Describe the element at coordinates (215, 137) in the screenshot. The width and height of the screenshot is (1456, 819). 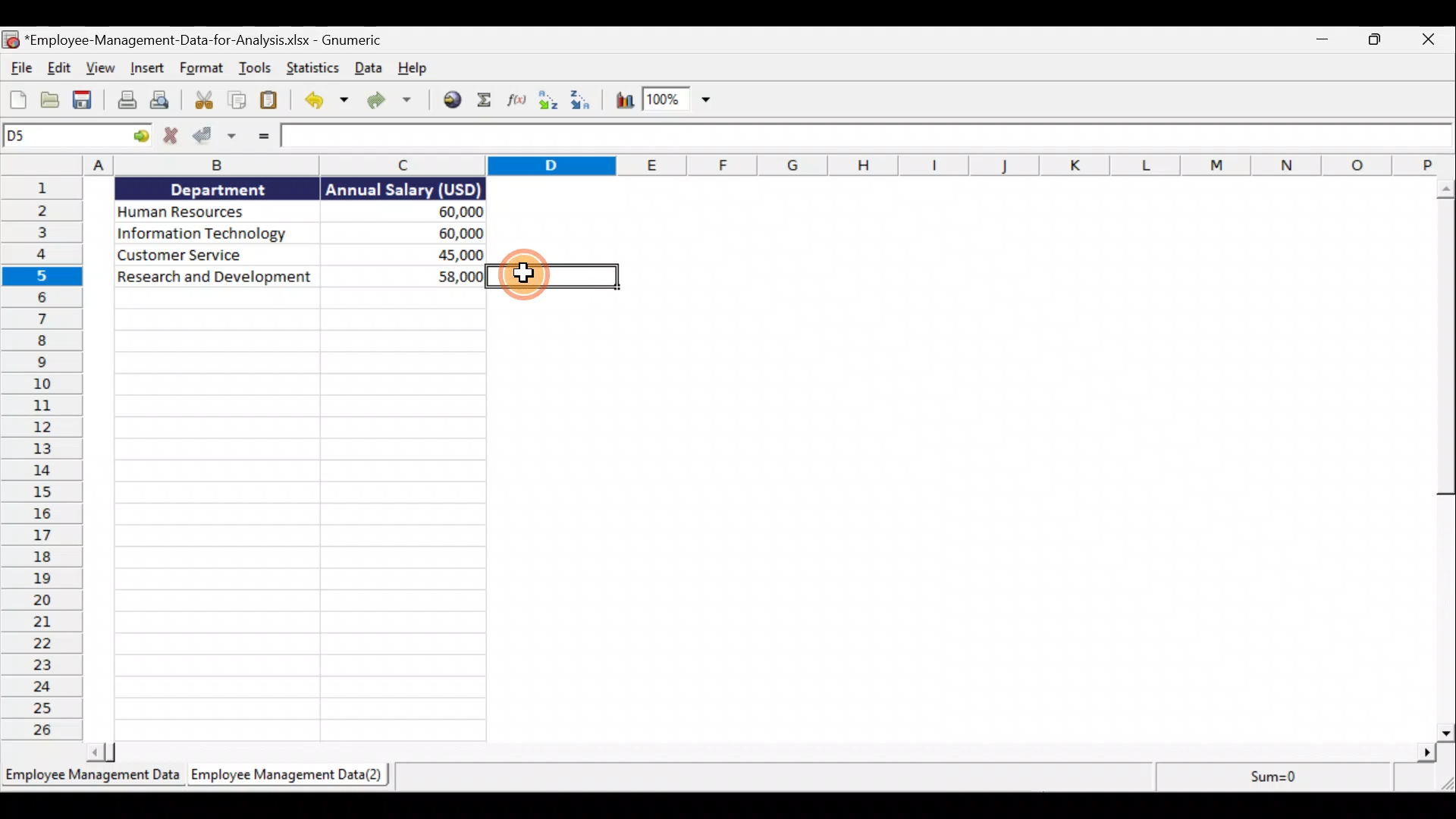
I see `Accept change` at that location.